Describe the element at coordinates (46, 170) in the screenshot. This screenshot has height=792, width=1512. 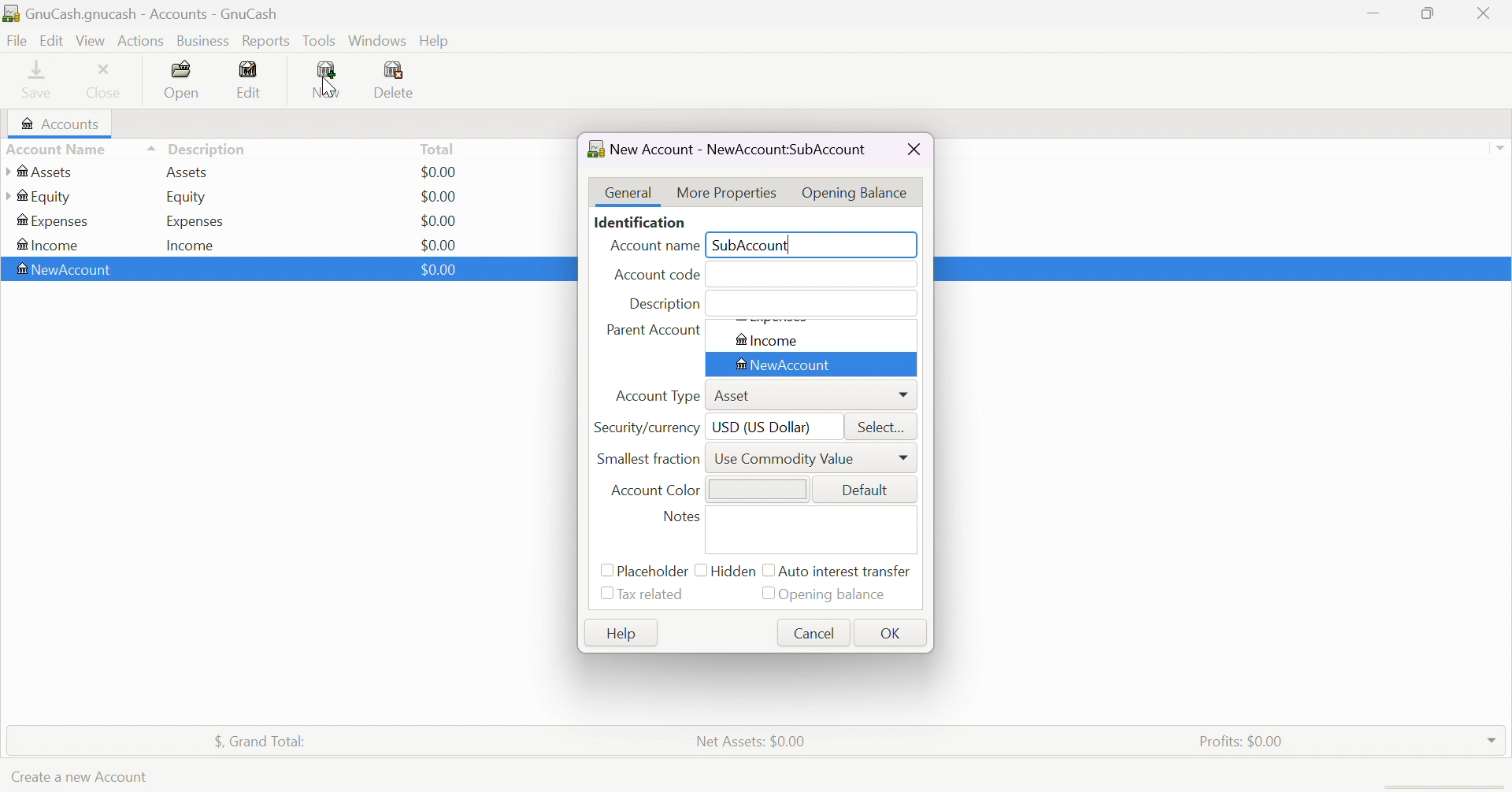
I see `Assets` at that location.